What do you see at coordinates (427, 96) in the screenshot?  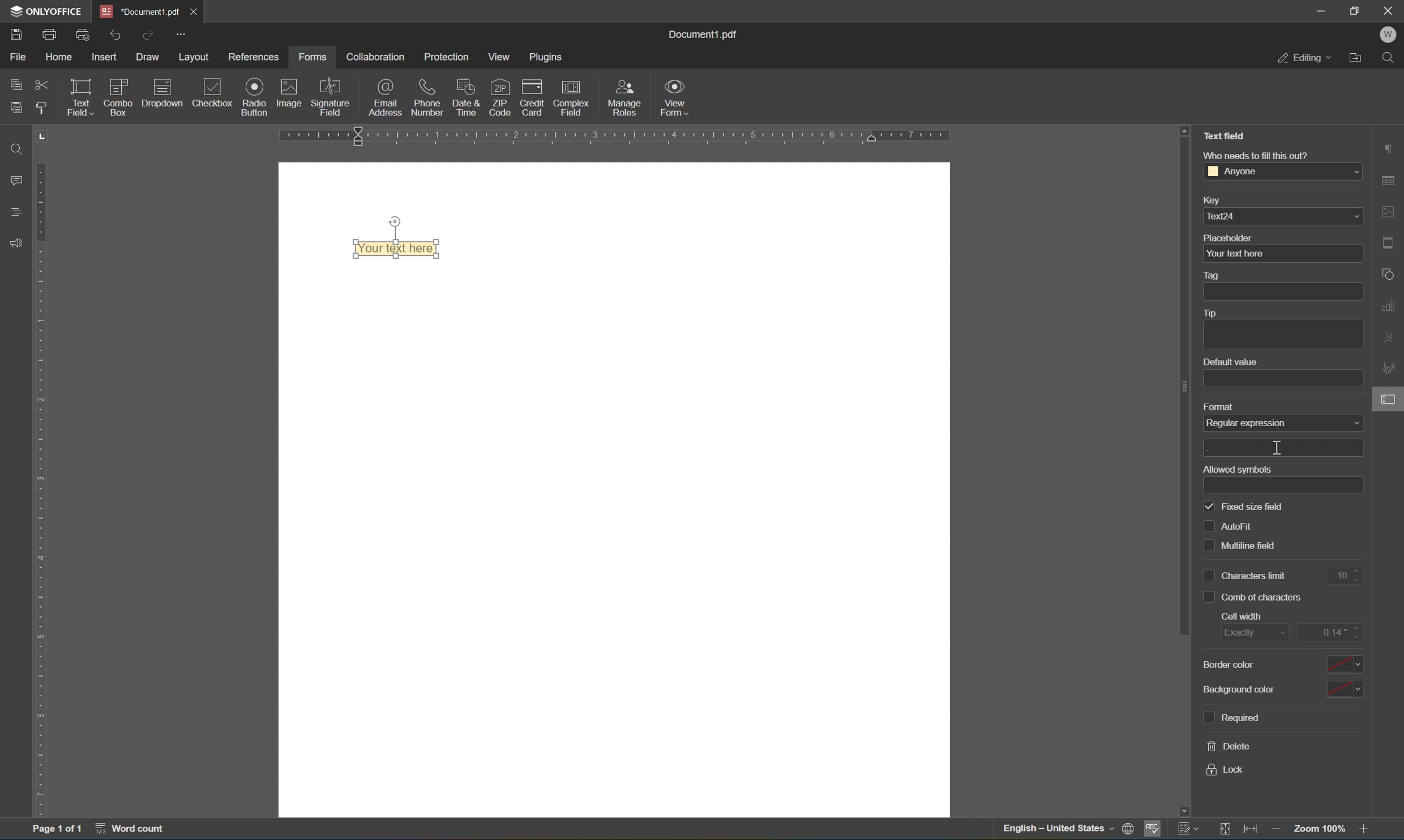 I see `phone number` at bounding box center [427, 96].